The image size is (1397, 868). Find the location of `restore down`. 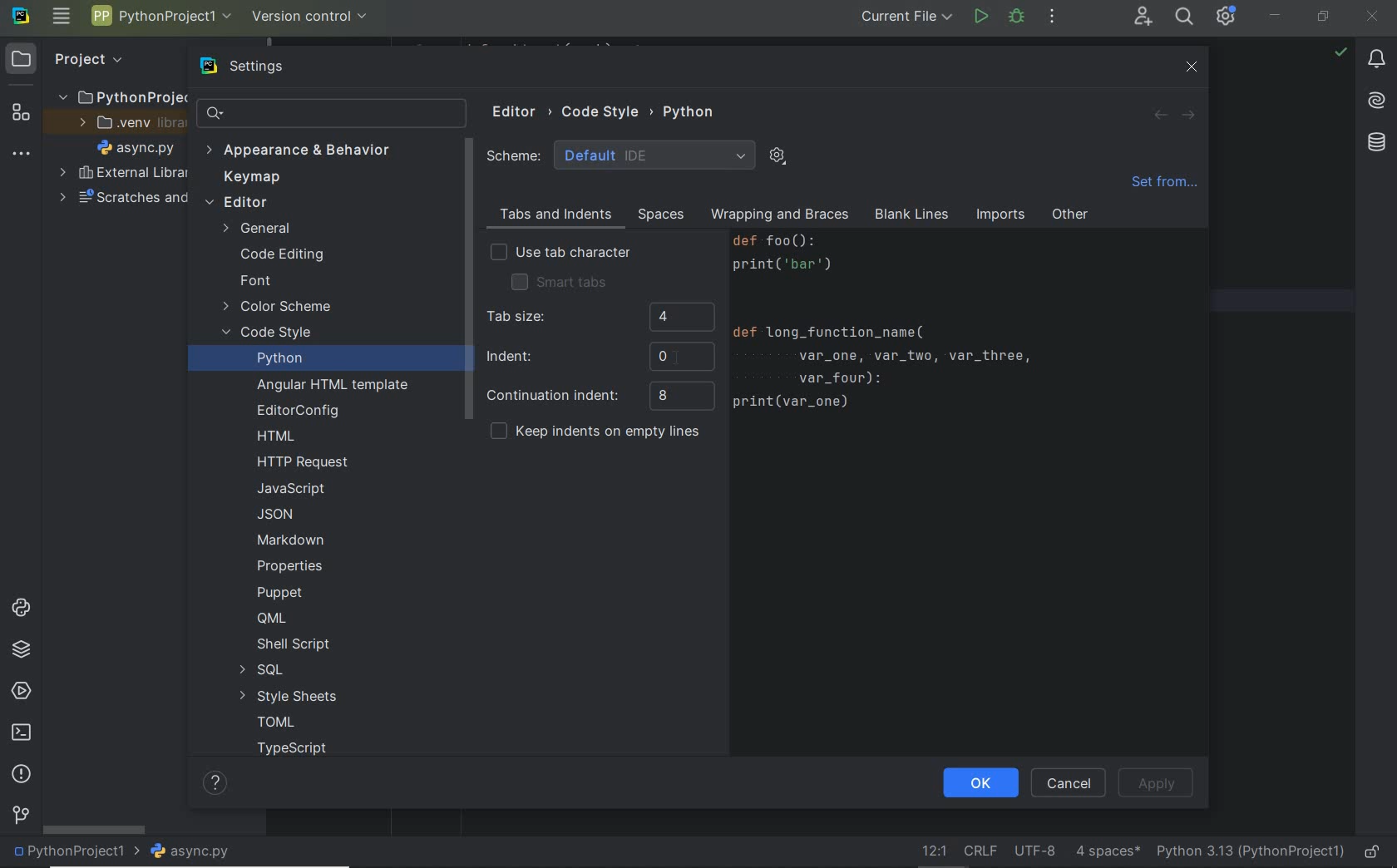

restore down is located at coordinates (1323, 20).